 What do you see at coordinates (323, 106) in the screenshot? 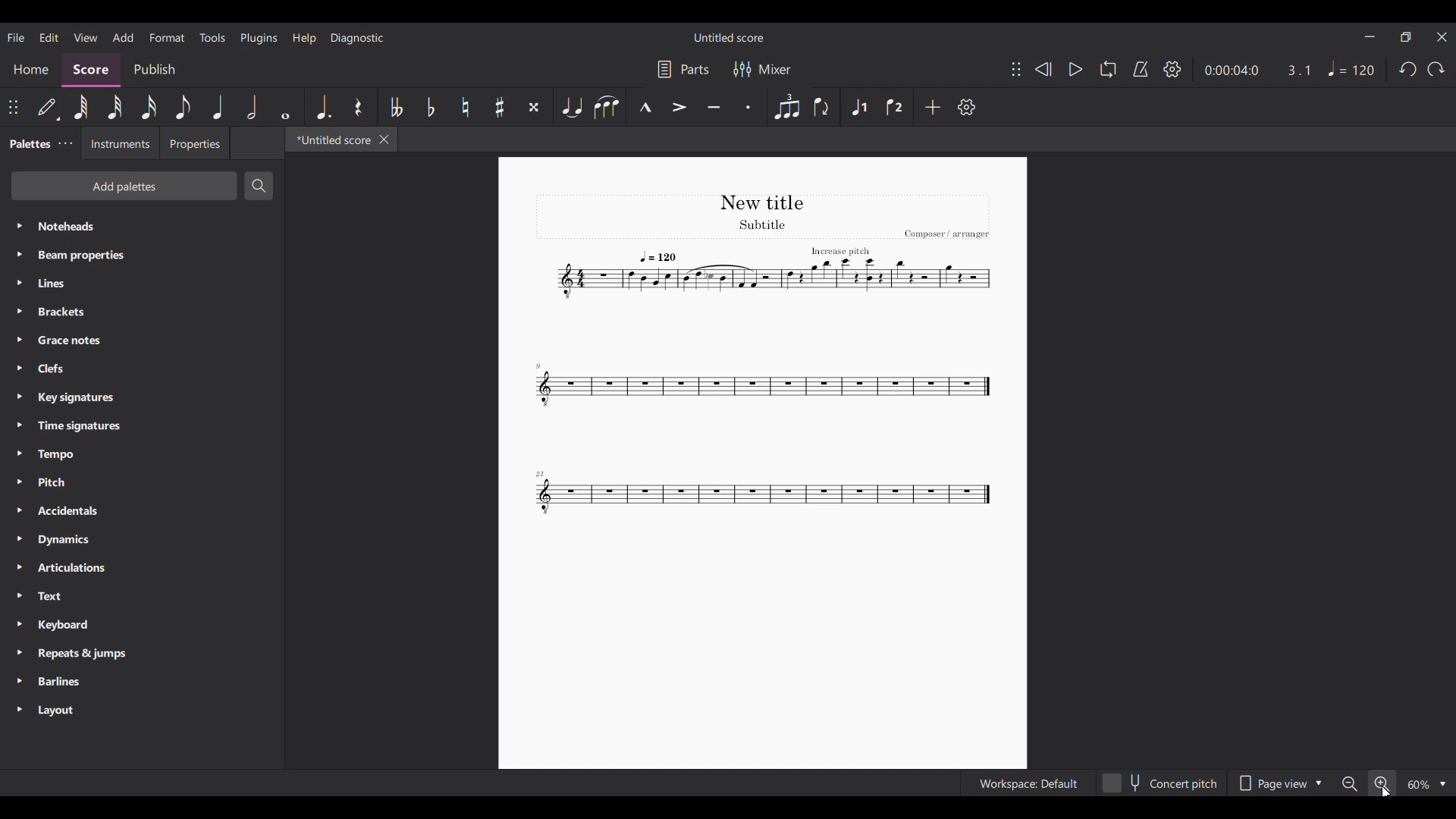
I see `Augmentation dot` at bounding box center [323, 106].